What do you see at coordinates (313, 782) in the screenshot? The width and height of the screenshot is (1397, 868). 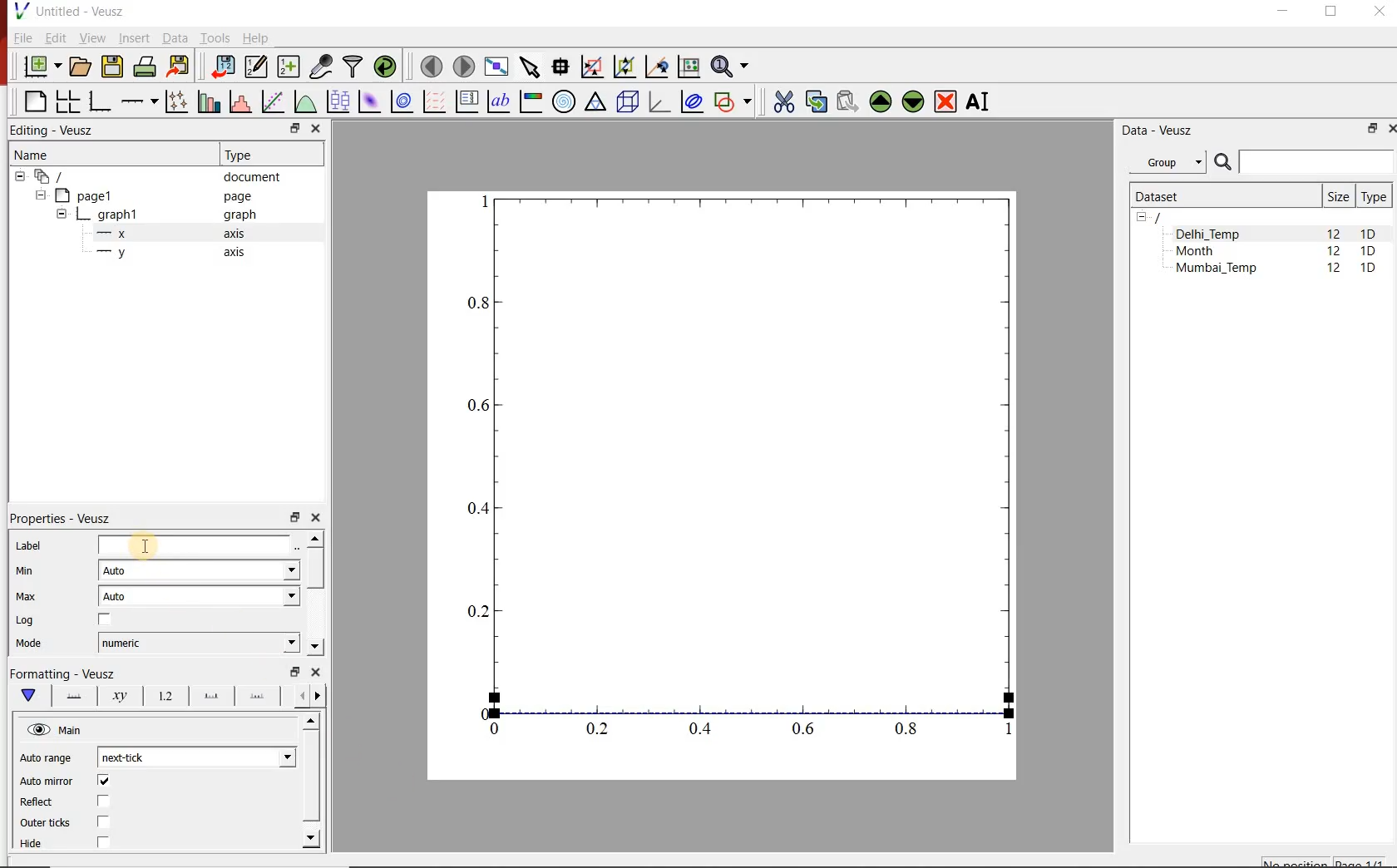 I see `scrollbar` at bounding box center [313, 782].